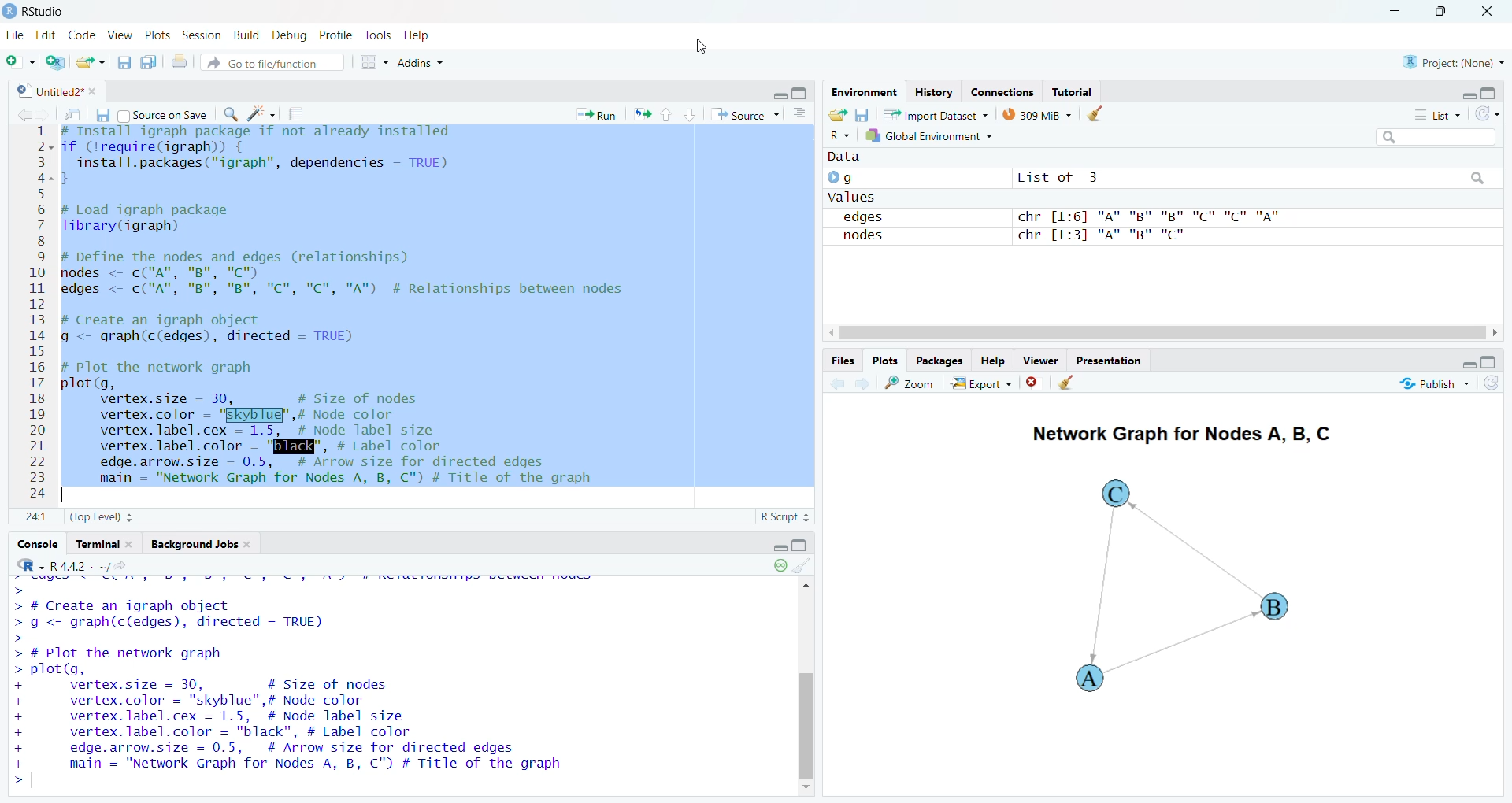 The height and width of the screenshot is (803, 1512). What do you see at coordinates (980, 383) in the screenshot?
I see `Export +` at bounding box center [980, 383].